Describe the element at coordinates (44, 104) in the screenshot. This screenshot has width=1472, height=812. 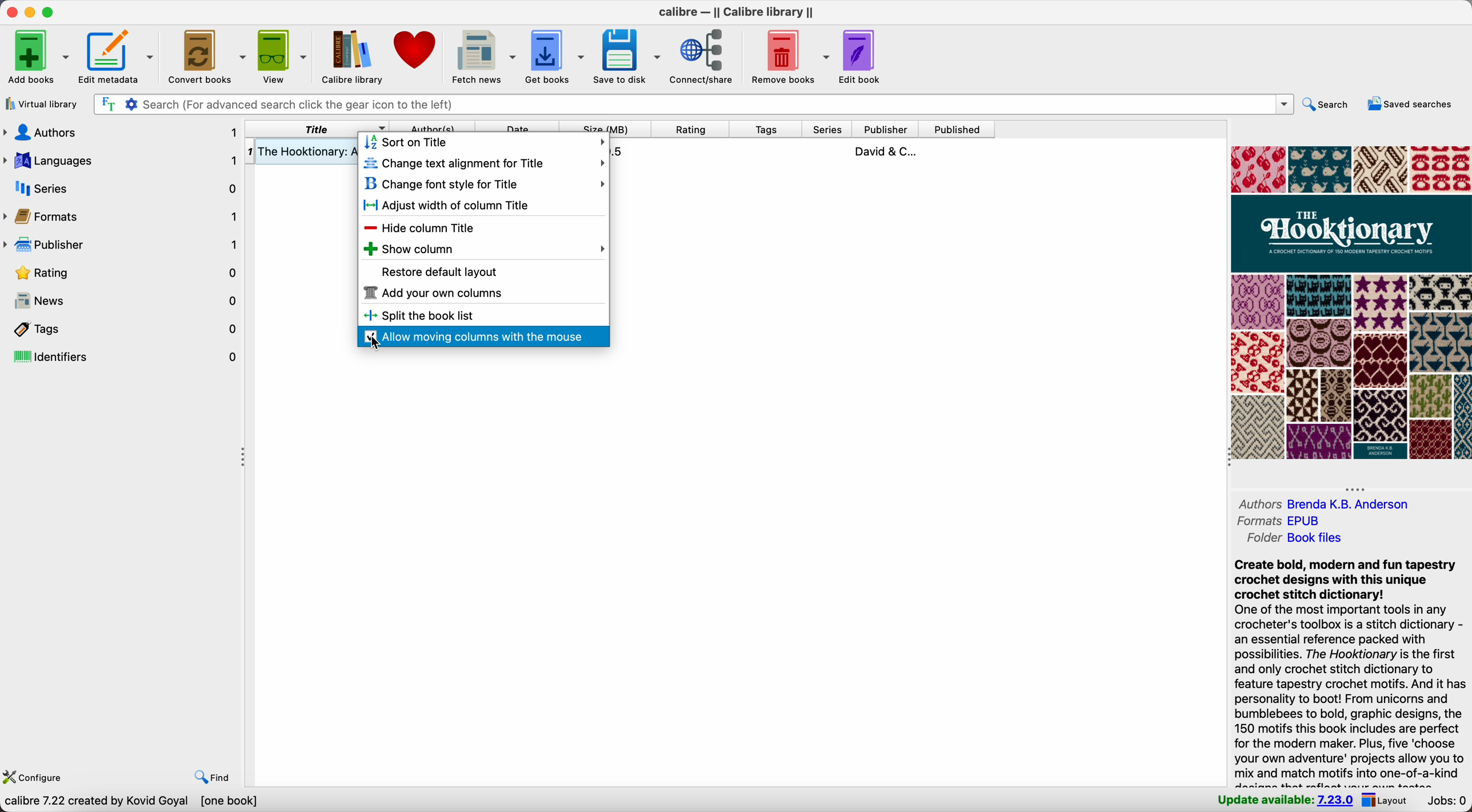
I see `virtual library` at that location.